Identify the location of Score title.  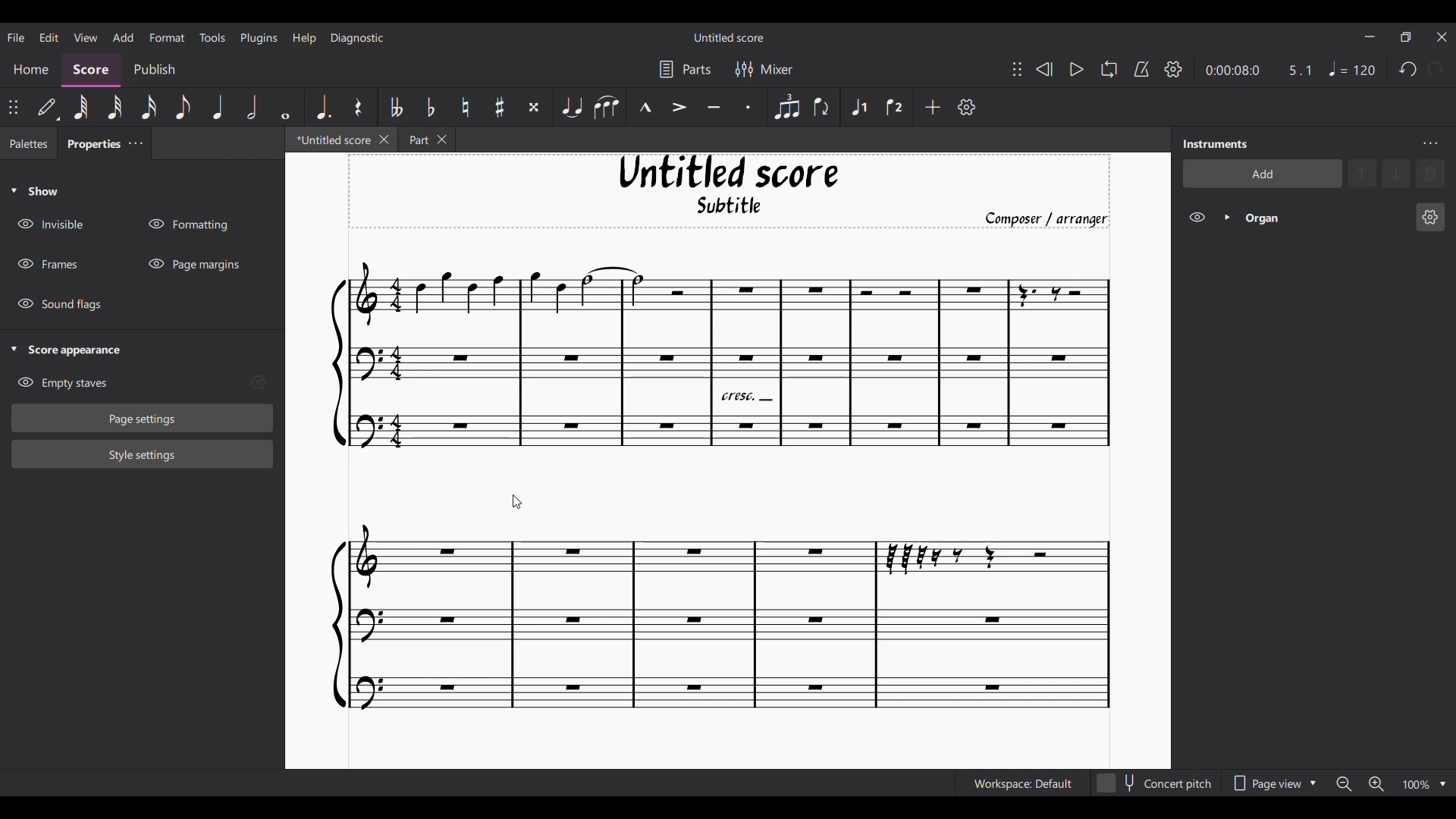
(728, 37).